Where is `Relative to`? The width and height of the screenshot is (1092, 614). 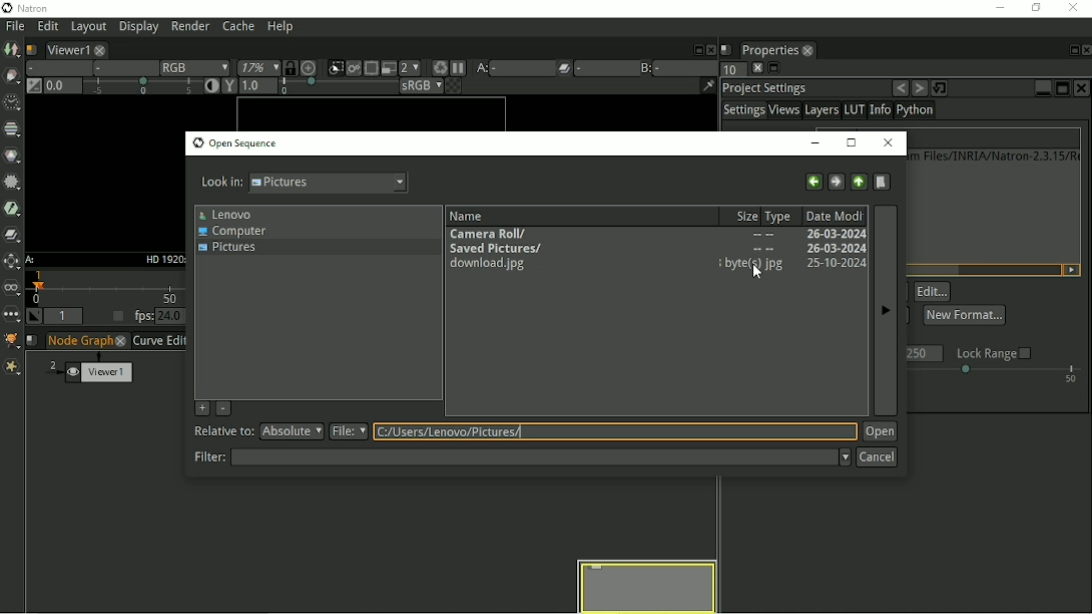
Relative to is located at coordinates (260, 432).